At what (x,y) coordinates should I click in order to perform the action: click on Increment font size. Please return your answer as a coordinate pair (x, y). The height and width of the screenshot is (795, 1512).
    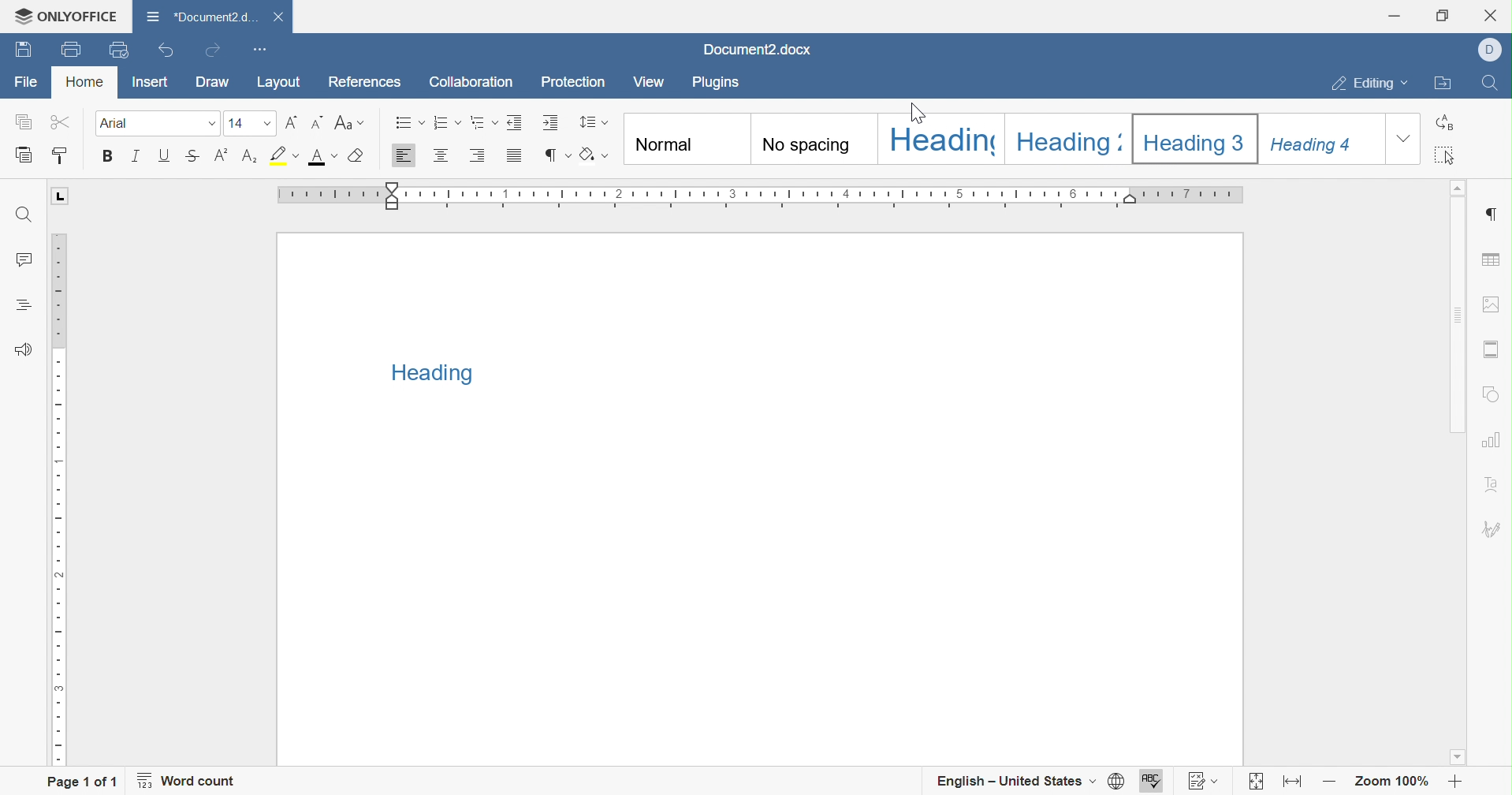
    Looking at the image, I should click on (287, 123).